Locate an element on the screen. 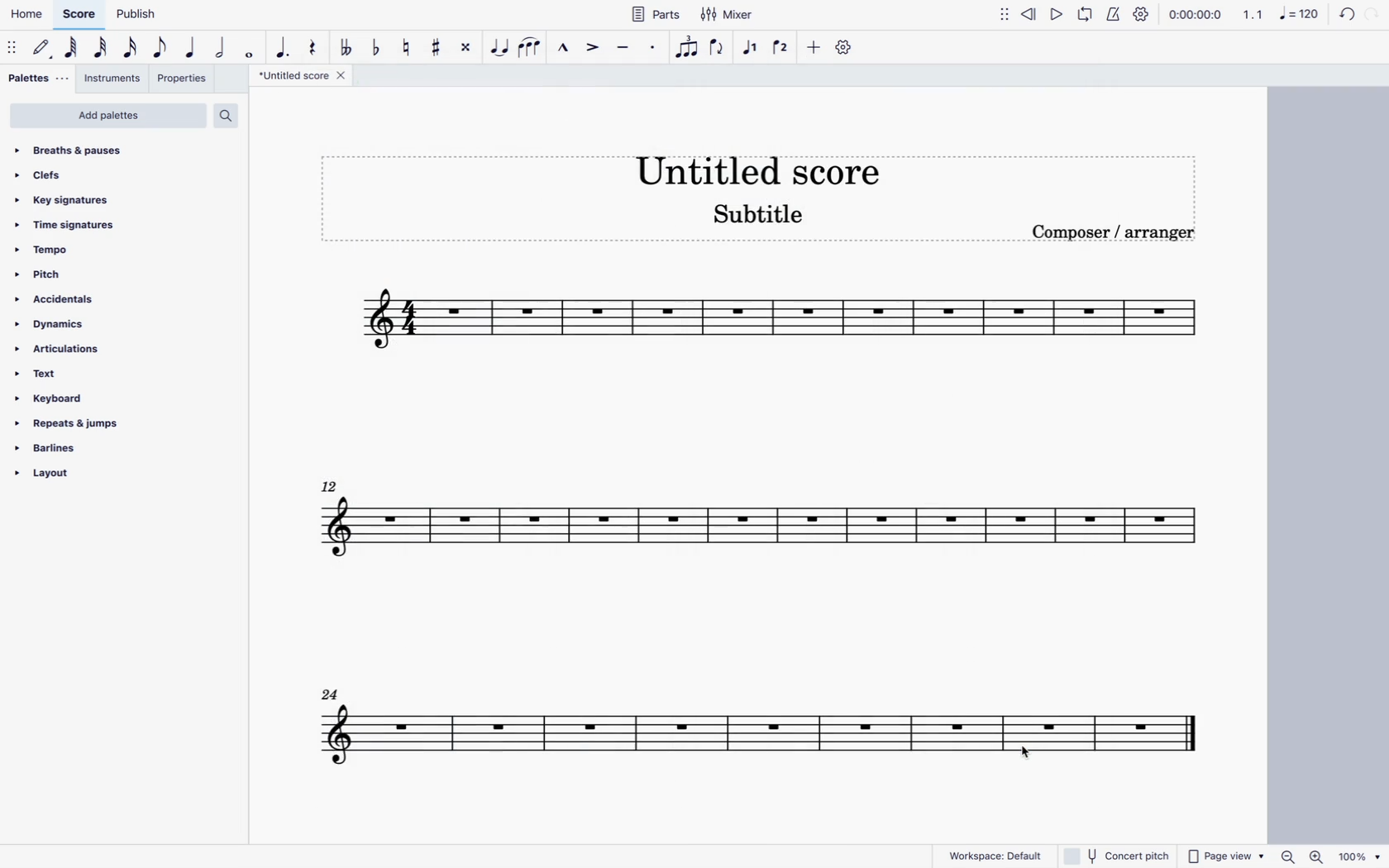 Image resolution: width=1389 pixels, height=868 pixels. palettes is located at coordinates (39, 78).